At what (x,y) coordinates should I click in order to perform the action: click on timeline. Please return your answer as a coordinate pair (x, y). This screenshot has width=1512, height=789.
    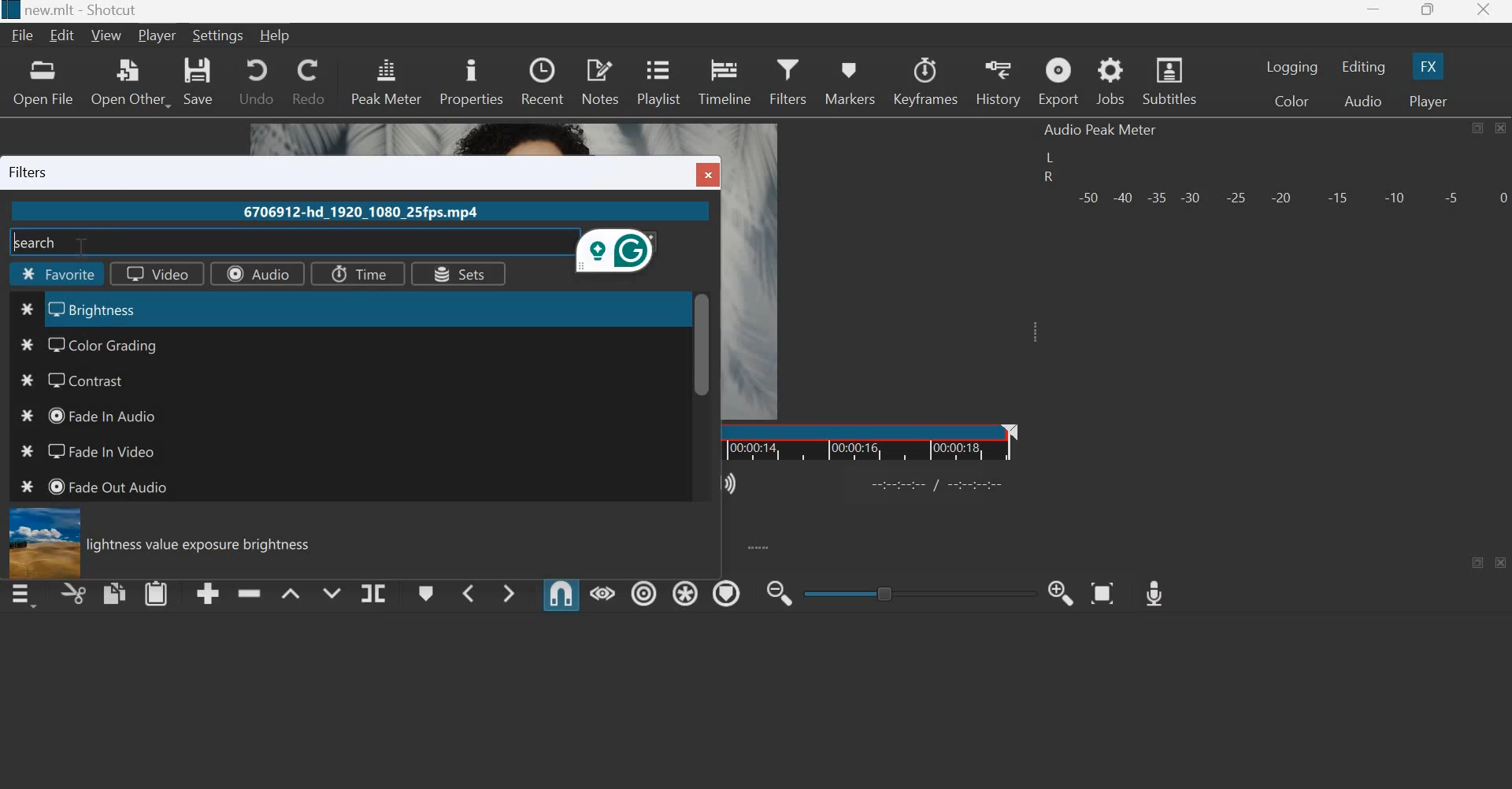
    Looking at the image, I should click on (726, 80).